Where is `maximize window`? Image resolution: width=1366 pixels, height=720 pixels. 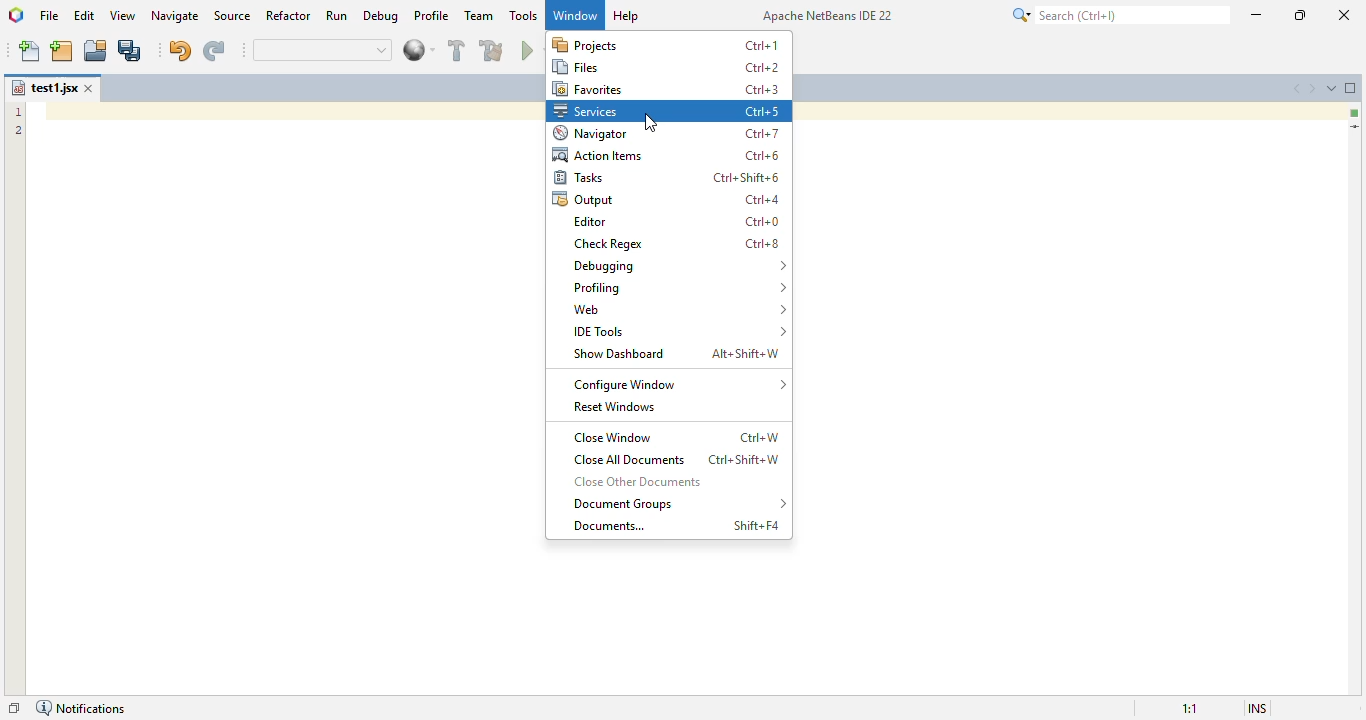 maximize window is located at coordinates (1351, 88).